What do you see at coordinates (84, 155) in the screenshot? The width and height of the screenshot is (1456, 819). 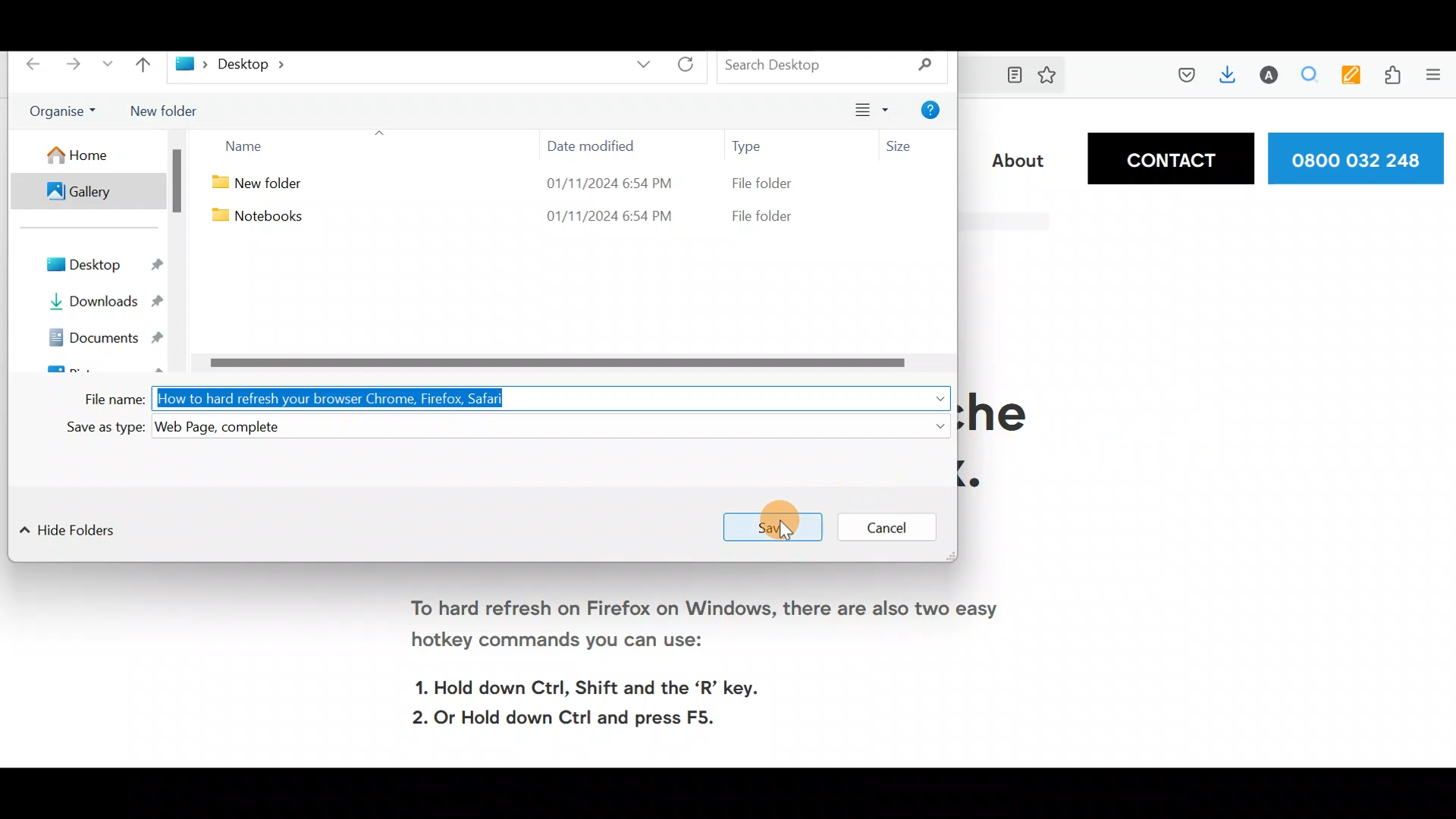 I see `Home` at bounding box center [84, 155].